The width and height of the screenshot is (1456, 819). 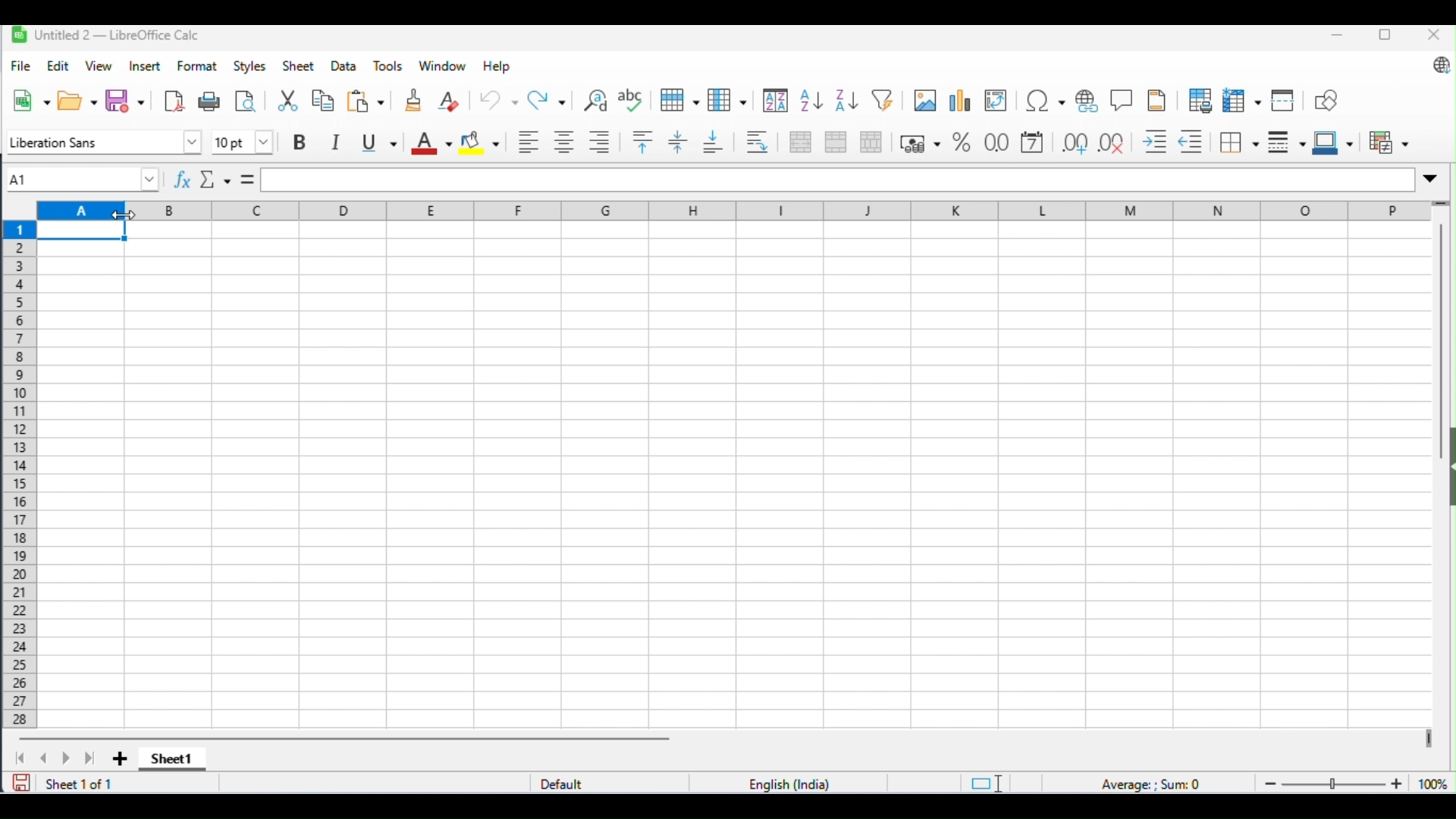 What do you see at coordinates (101, 143) in the screenshot?
I see `font style` at bounding box center [101, 143].